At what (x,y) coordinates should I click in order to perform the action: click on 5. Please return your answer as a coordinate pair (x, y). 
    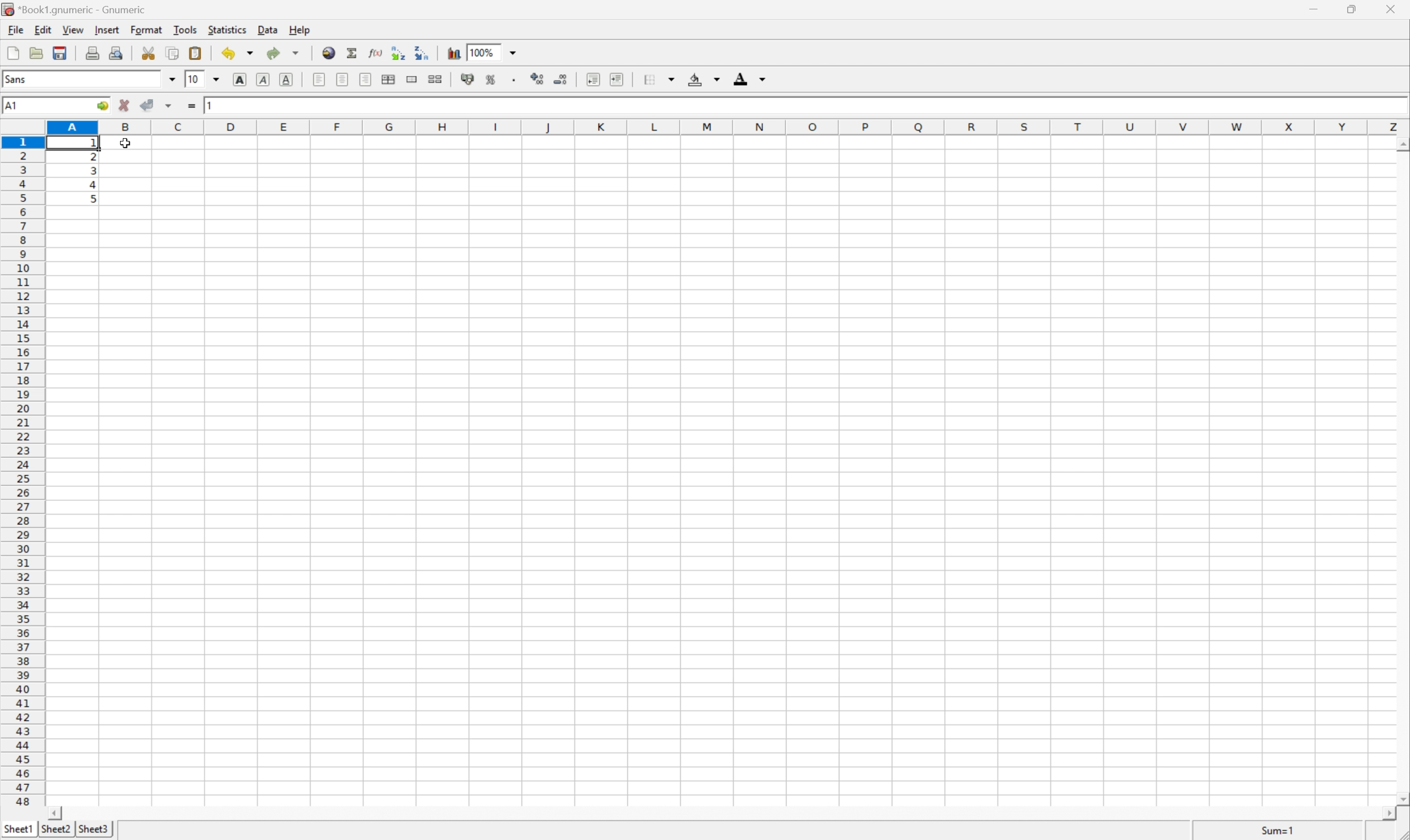
    Looking at the image, I should click on (95, 199).